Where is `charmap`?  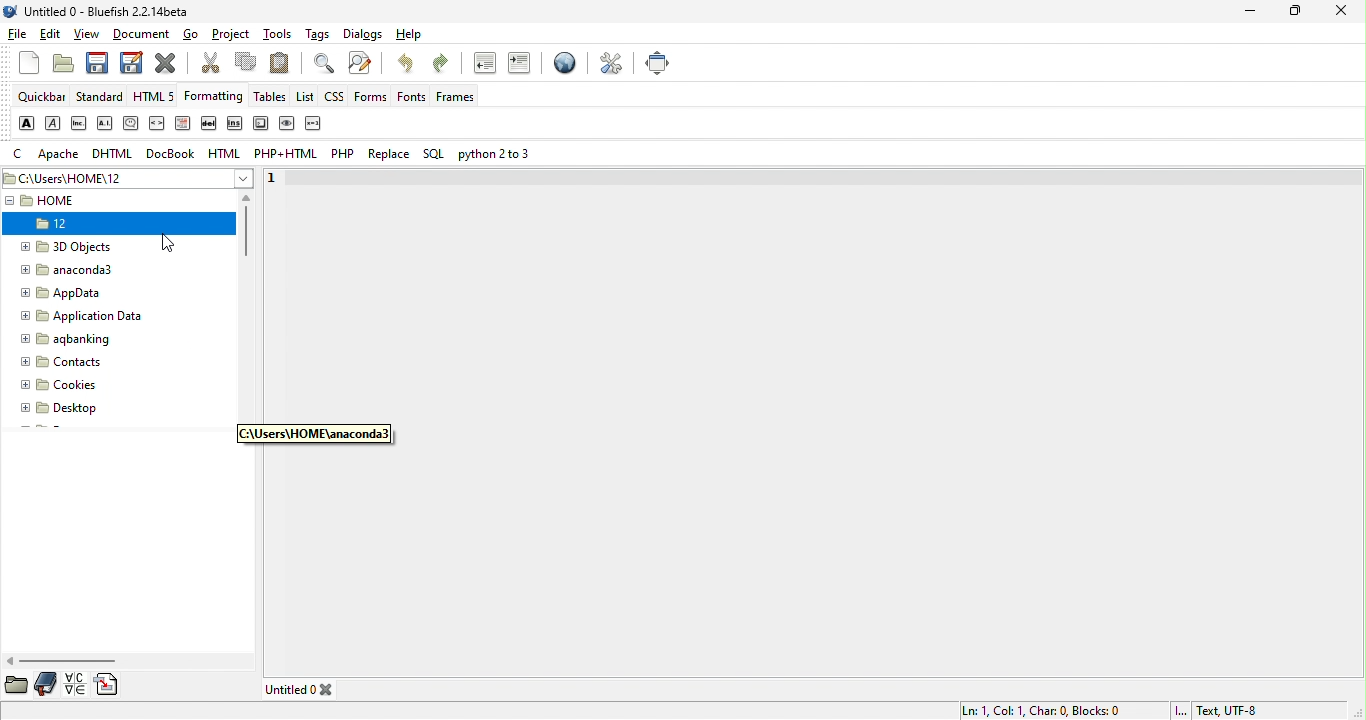 charmap is located at coordinates (75, 684).